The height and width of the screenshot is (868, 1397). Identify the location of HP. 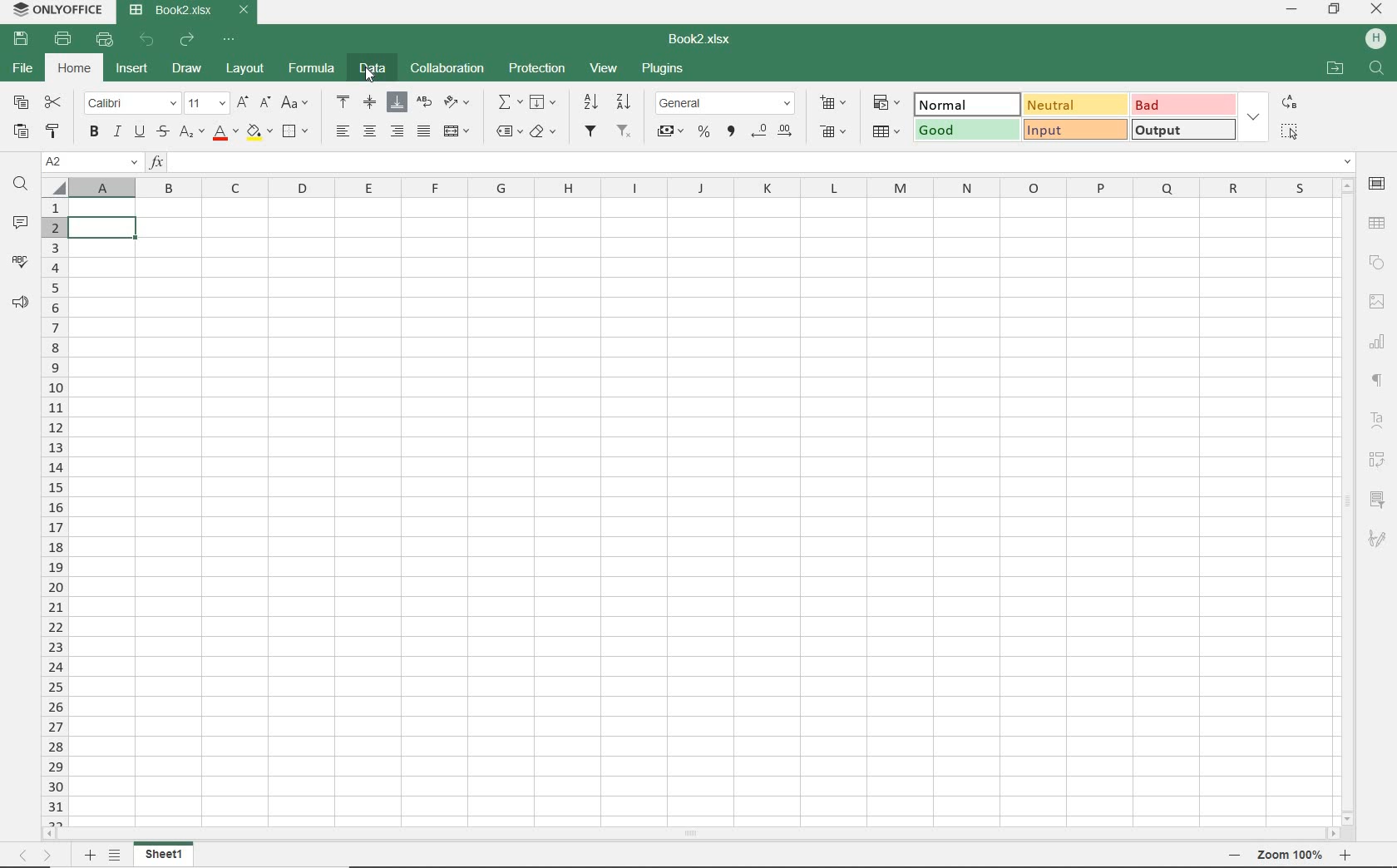
(1376, 40).